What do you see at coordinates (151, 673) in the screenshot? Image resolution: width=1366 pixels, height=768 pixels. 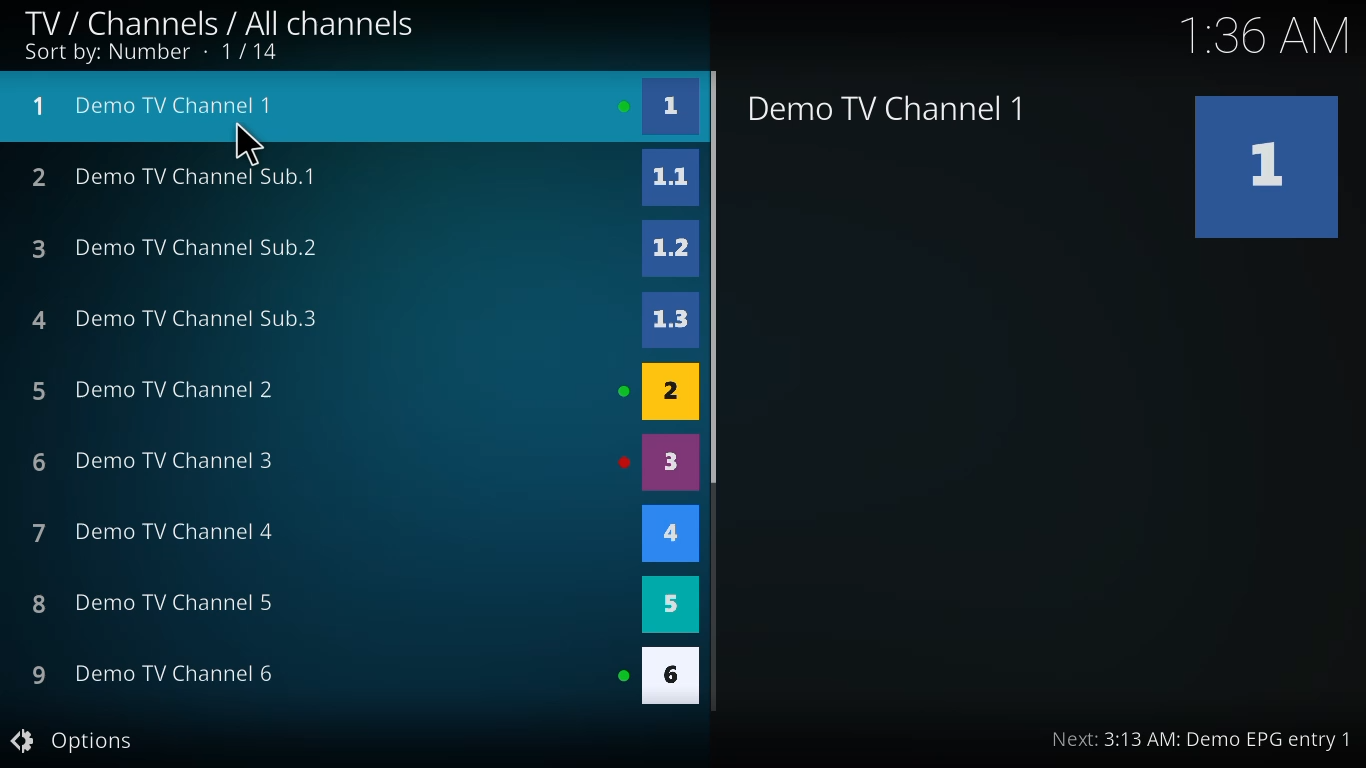 I see `demo channel 6` at bounding box center [151, 673].